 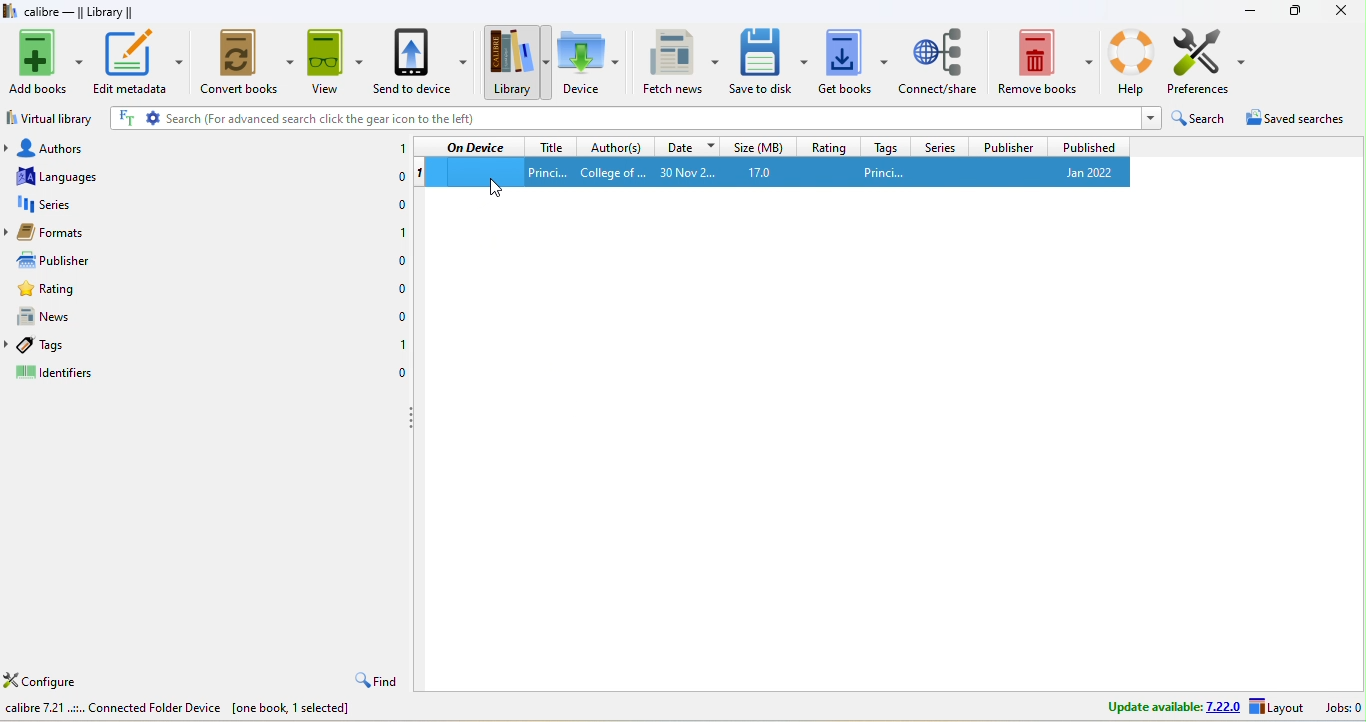 I want to click on news, so click(x=60, y=315).